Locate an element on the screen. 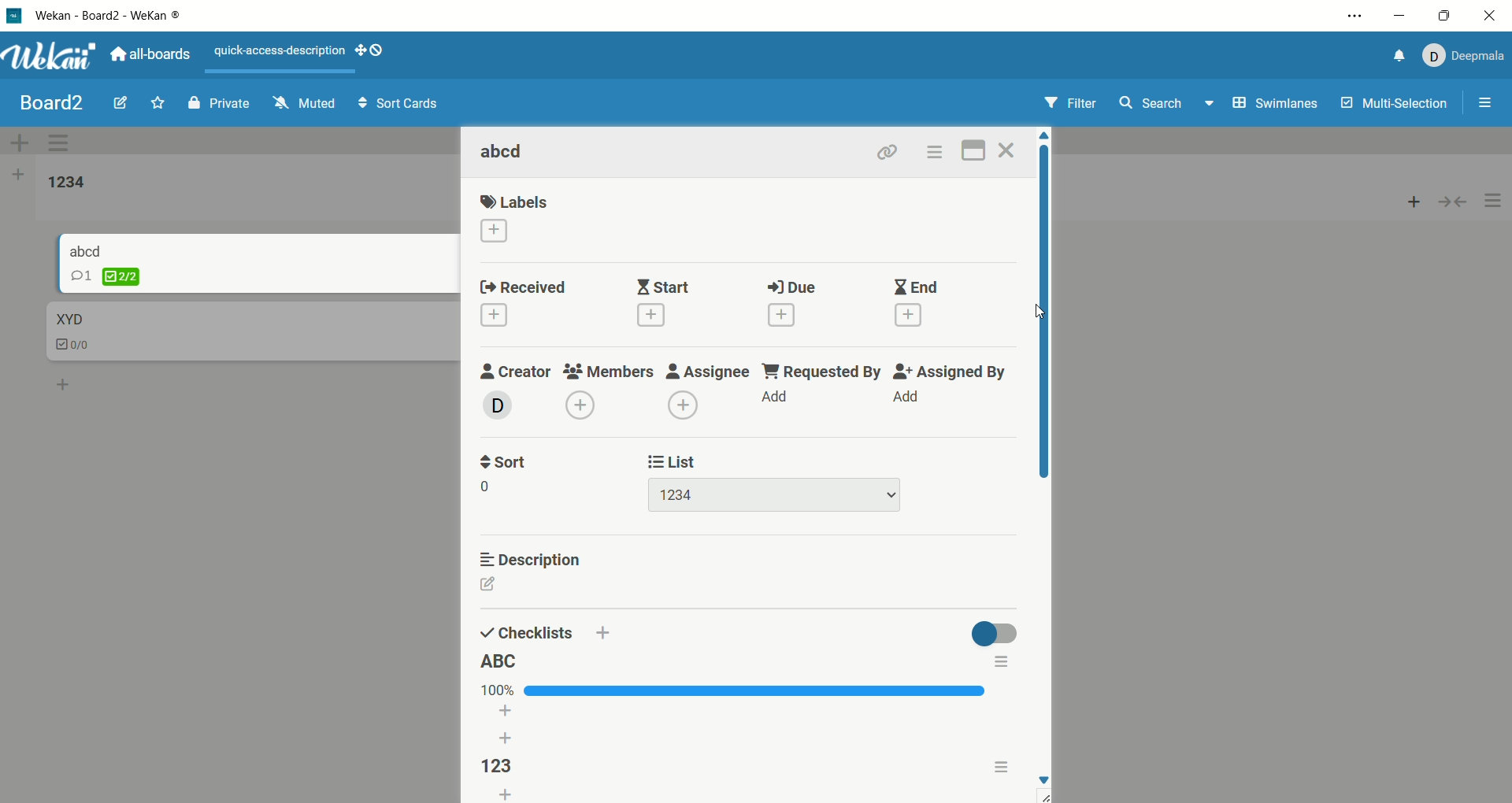 This screenshot has height=803, width=1512. options is located at coordinates (1000, 765).